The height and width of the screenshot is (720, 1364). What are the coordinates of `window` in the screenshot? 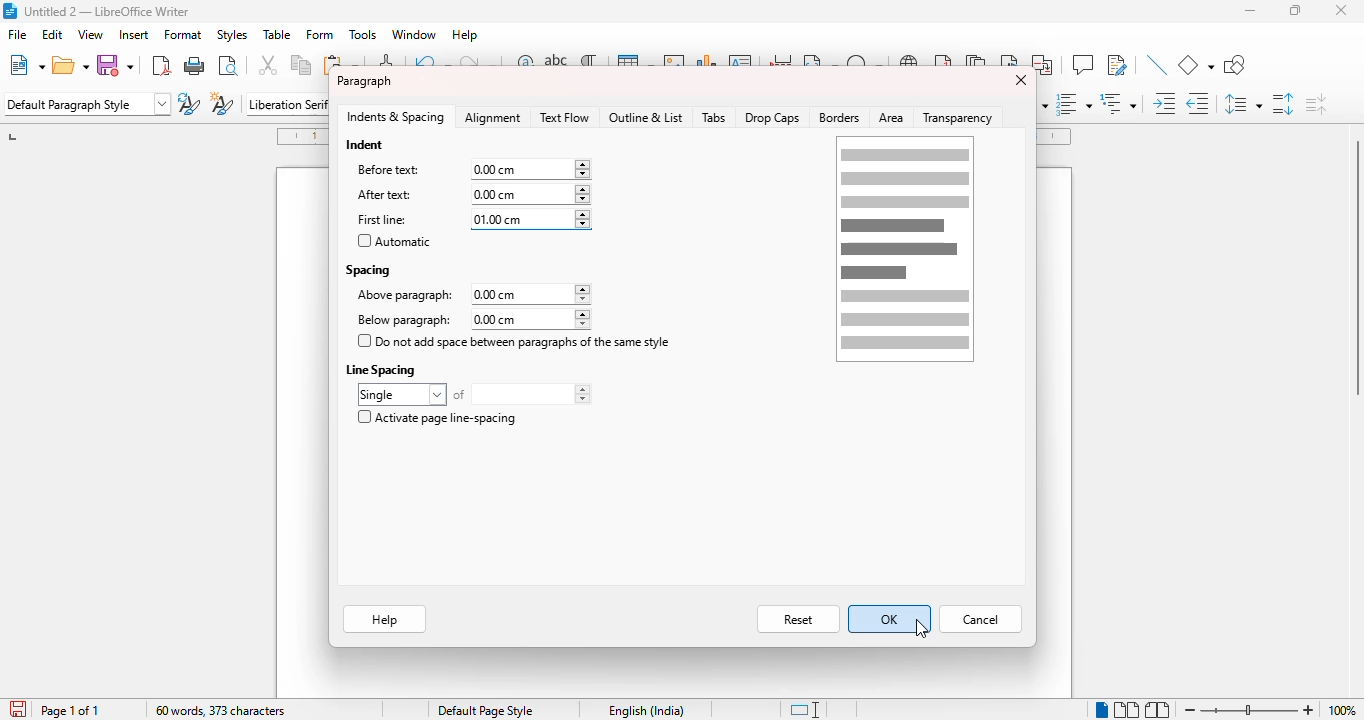 It's located at (414, 34).